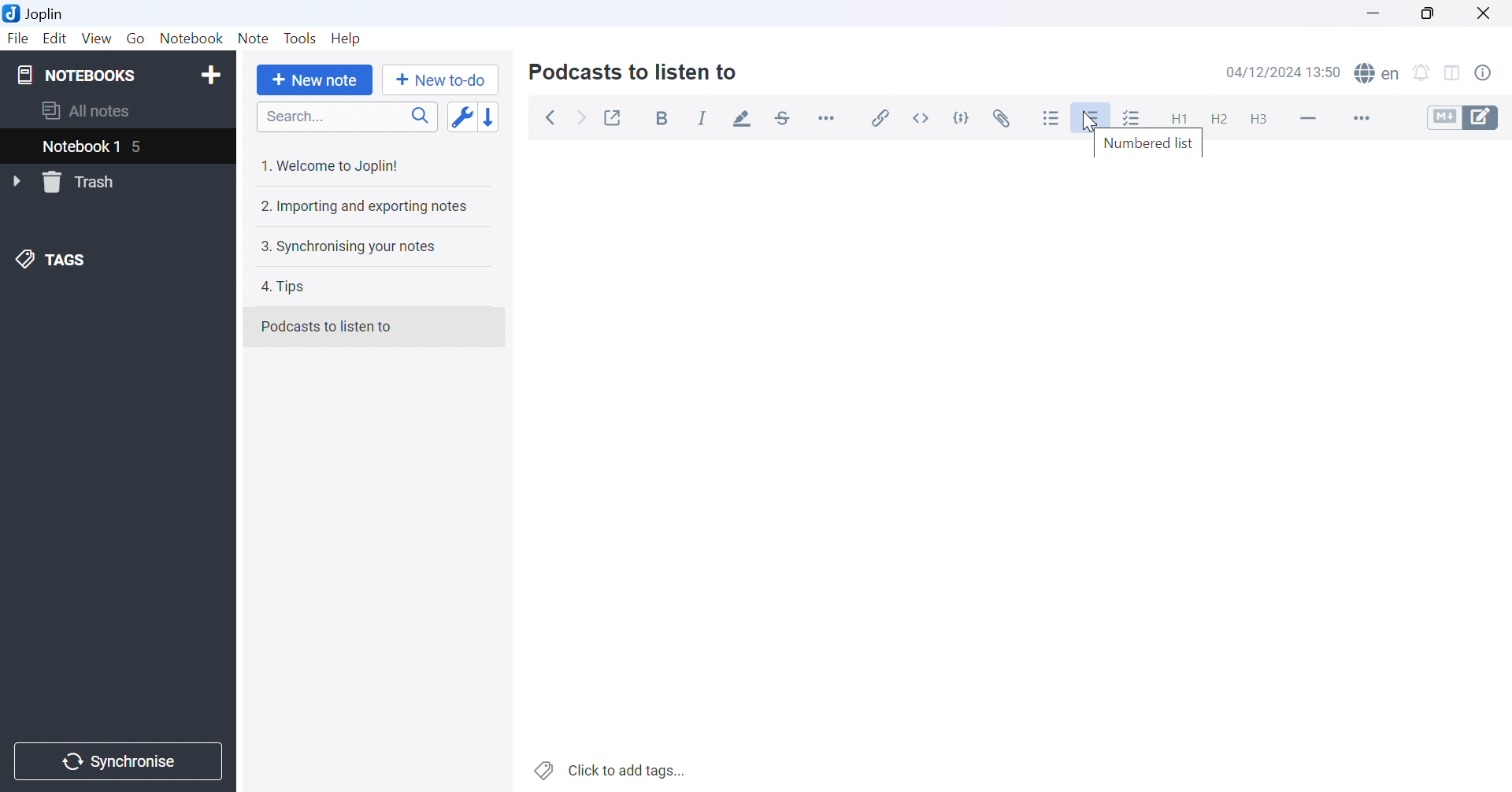 This screenshot has height=792, width=1512. I want to click on Drop Down, so click(18, 182).